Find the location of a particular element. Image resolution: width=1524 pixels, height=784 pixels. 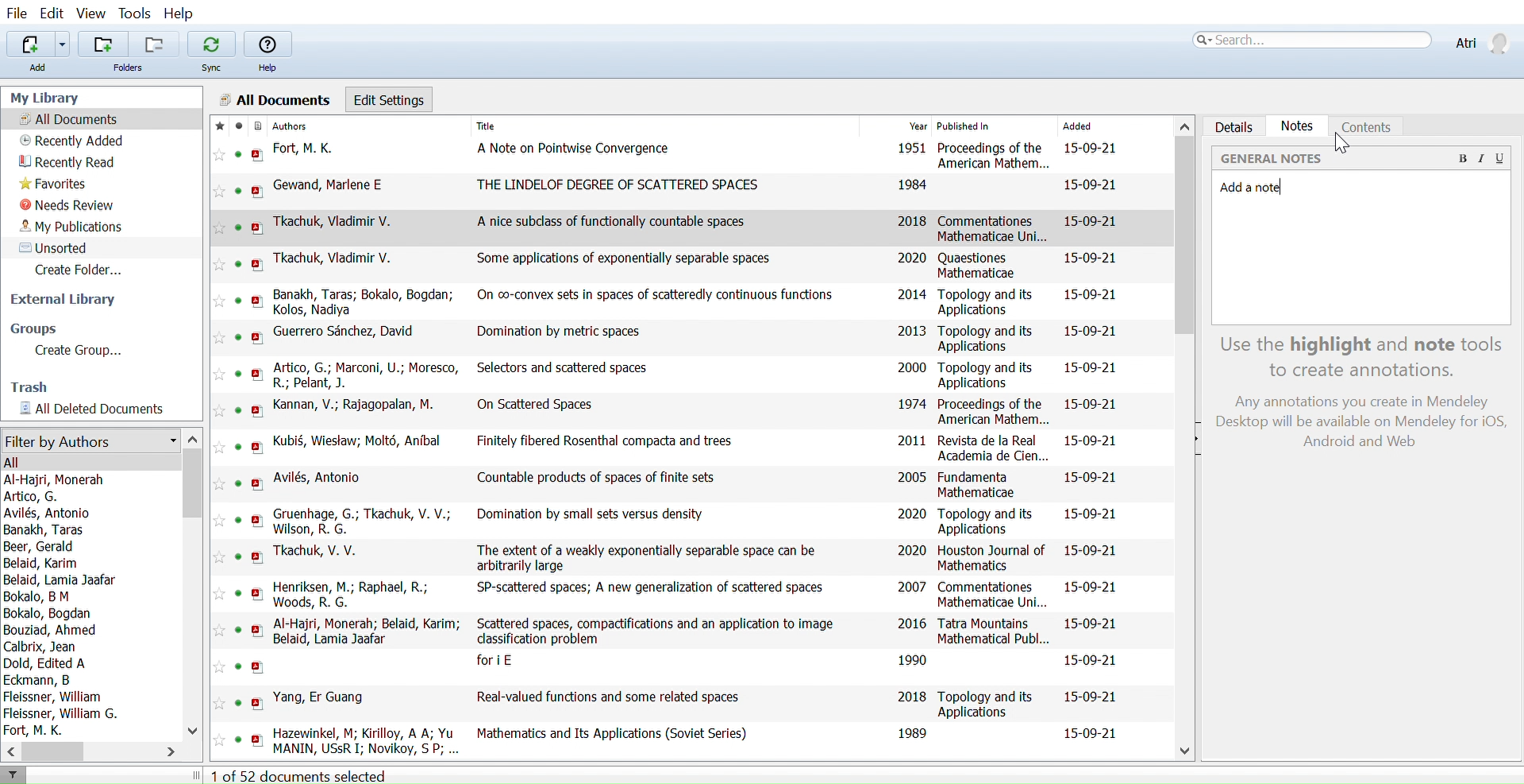

open PDF is located at coordinates (258, 338).